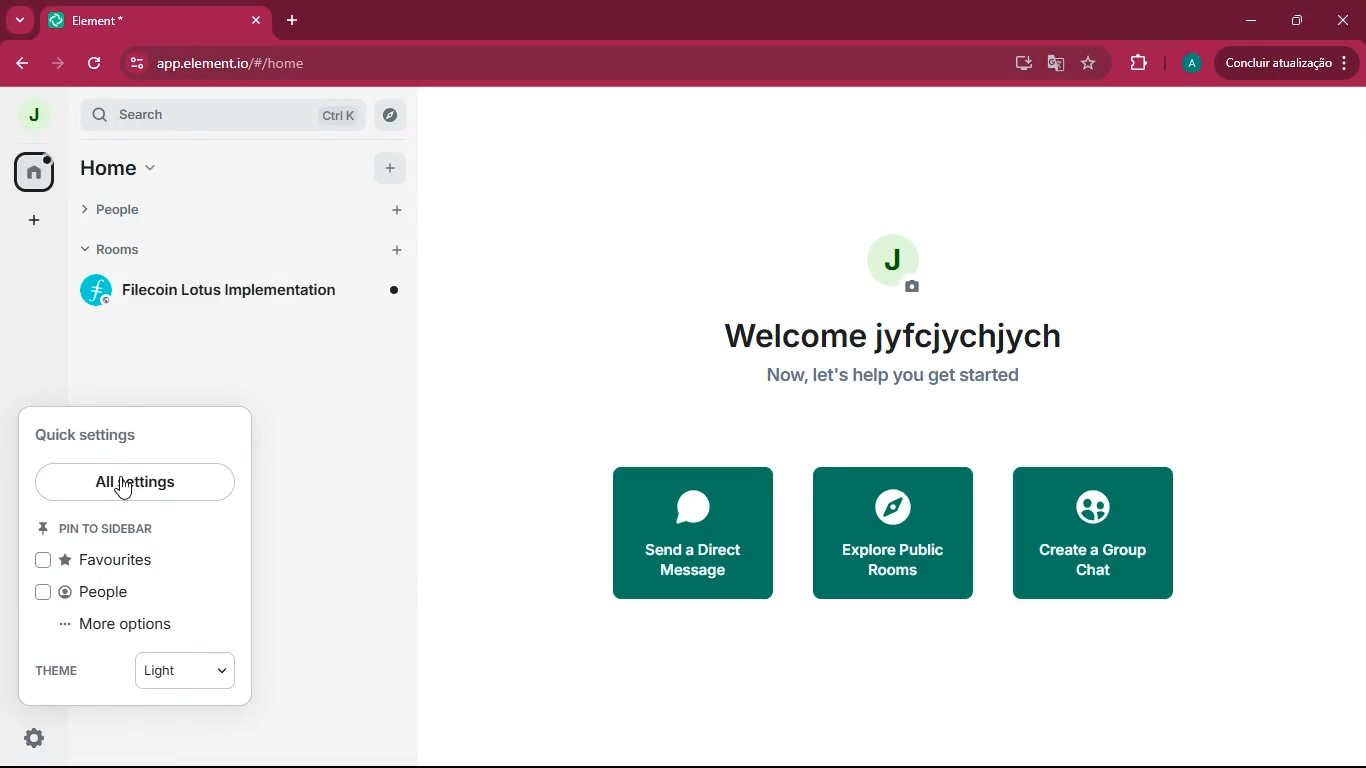 The width and height of the screenshot is (1366, 768). What do you see at coordinates (139, 21) in the screenshot?
I see `Element*` at bounding box center [139, 21].